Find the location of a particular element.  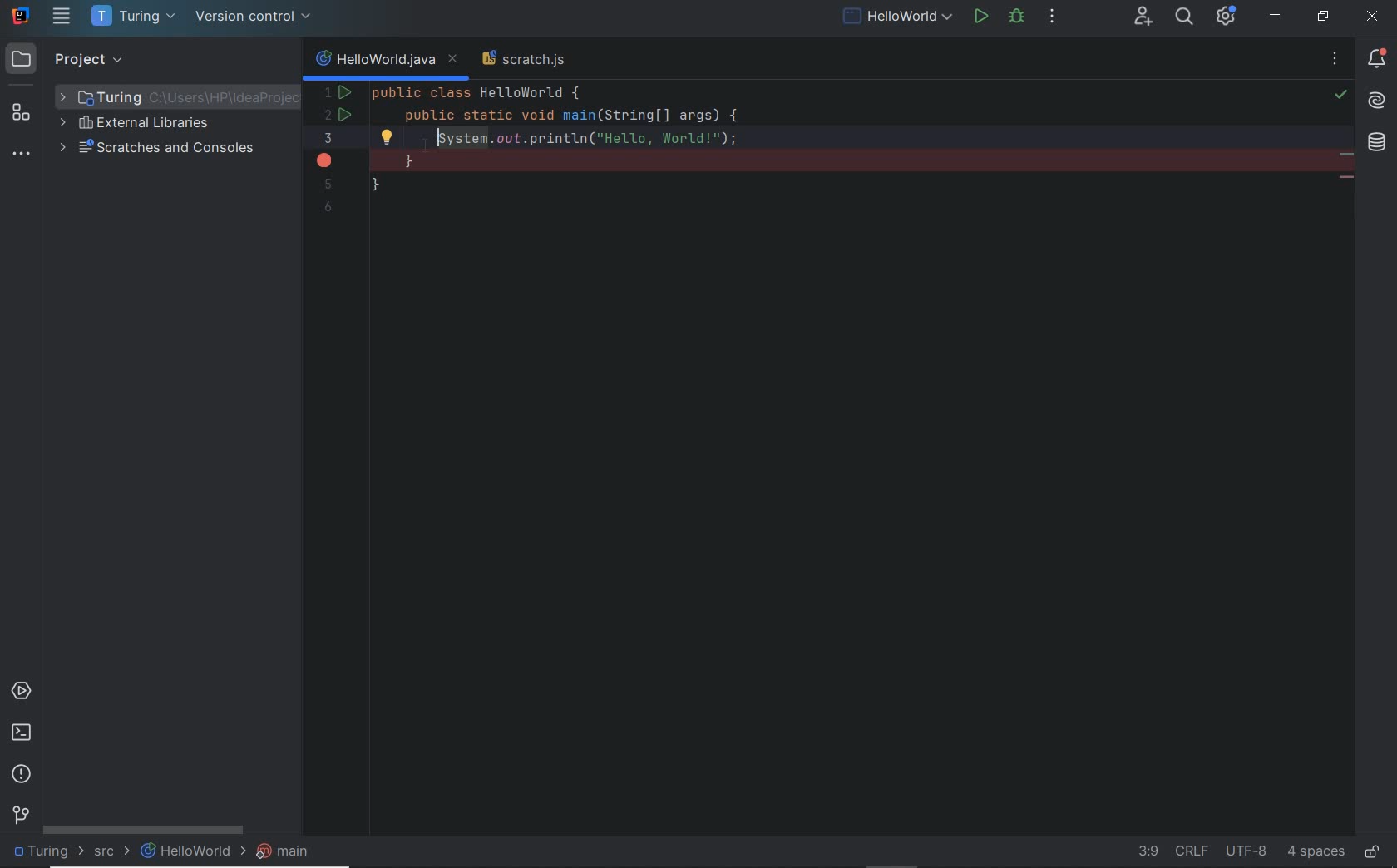

version control is located at coordinates (252, 17).